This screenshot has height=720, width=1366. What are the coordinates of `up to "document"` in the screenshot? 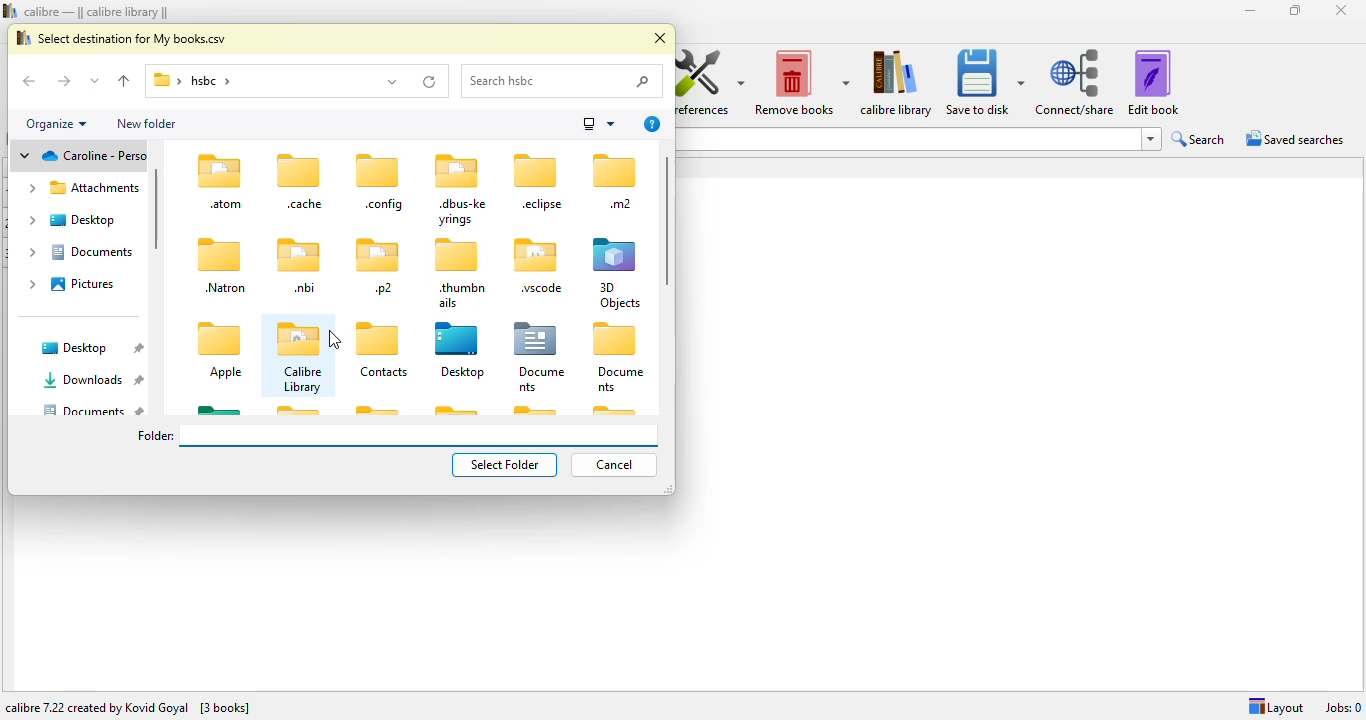 It's located at (125, 82).